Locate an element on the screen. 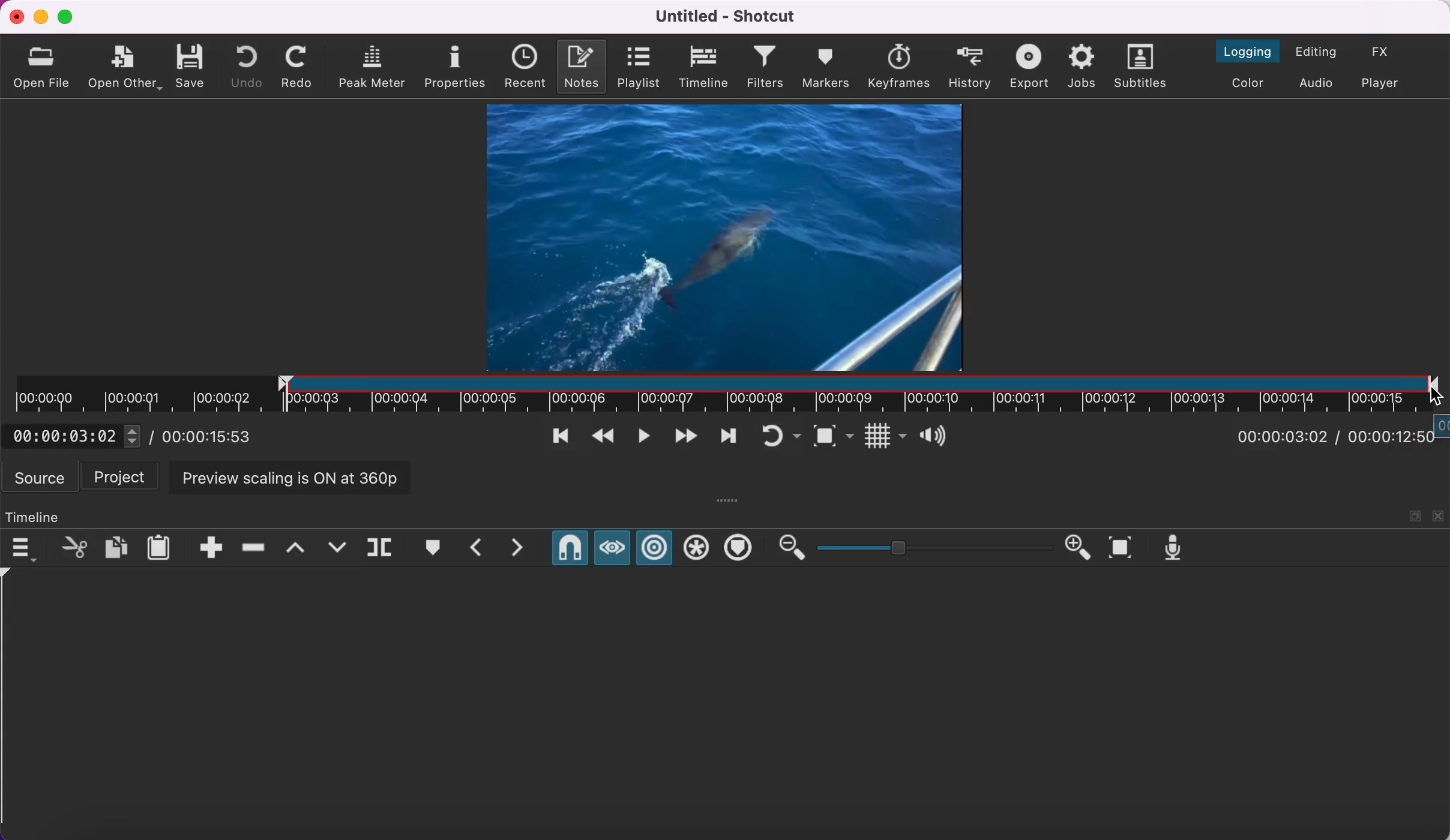 This screenshot has height=840, width=1450. overwrite is located at coordinates (336, 547).